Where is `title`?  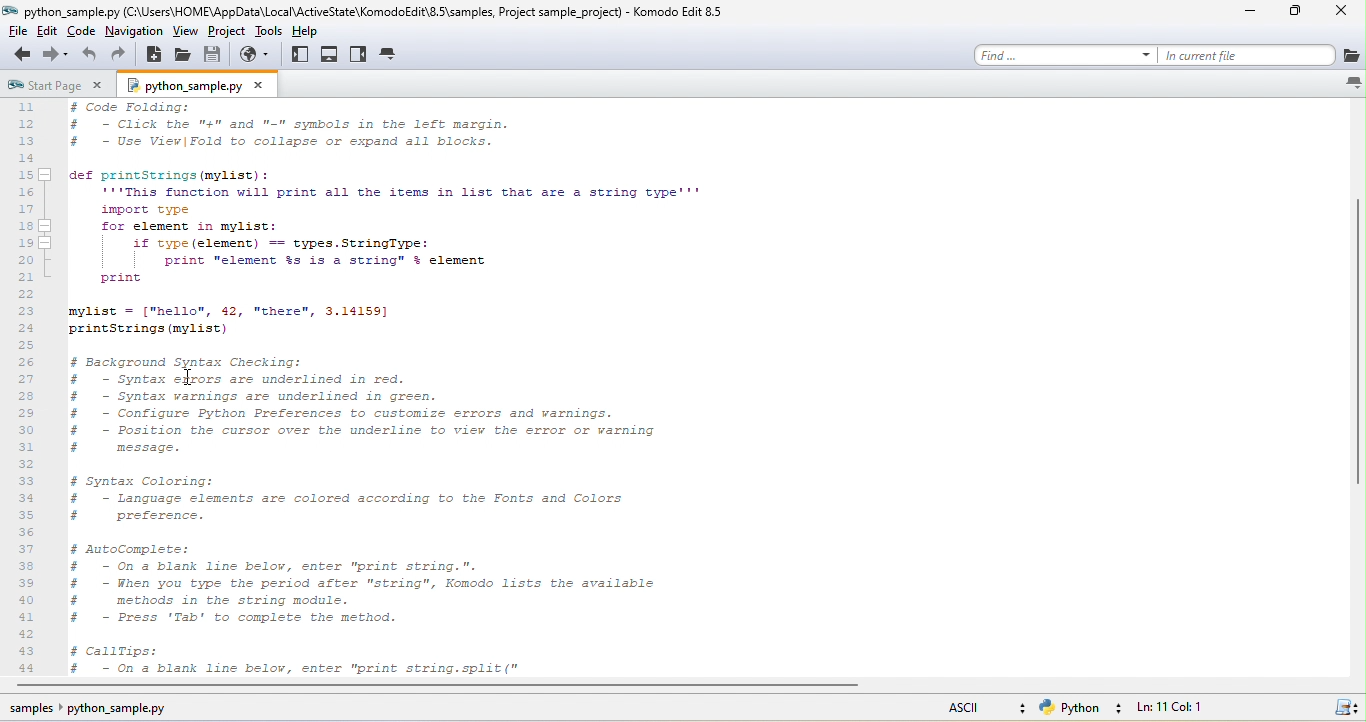
title is located at coordinates (368, 10).